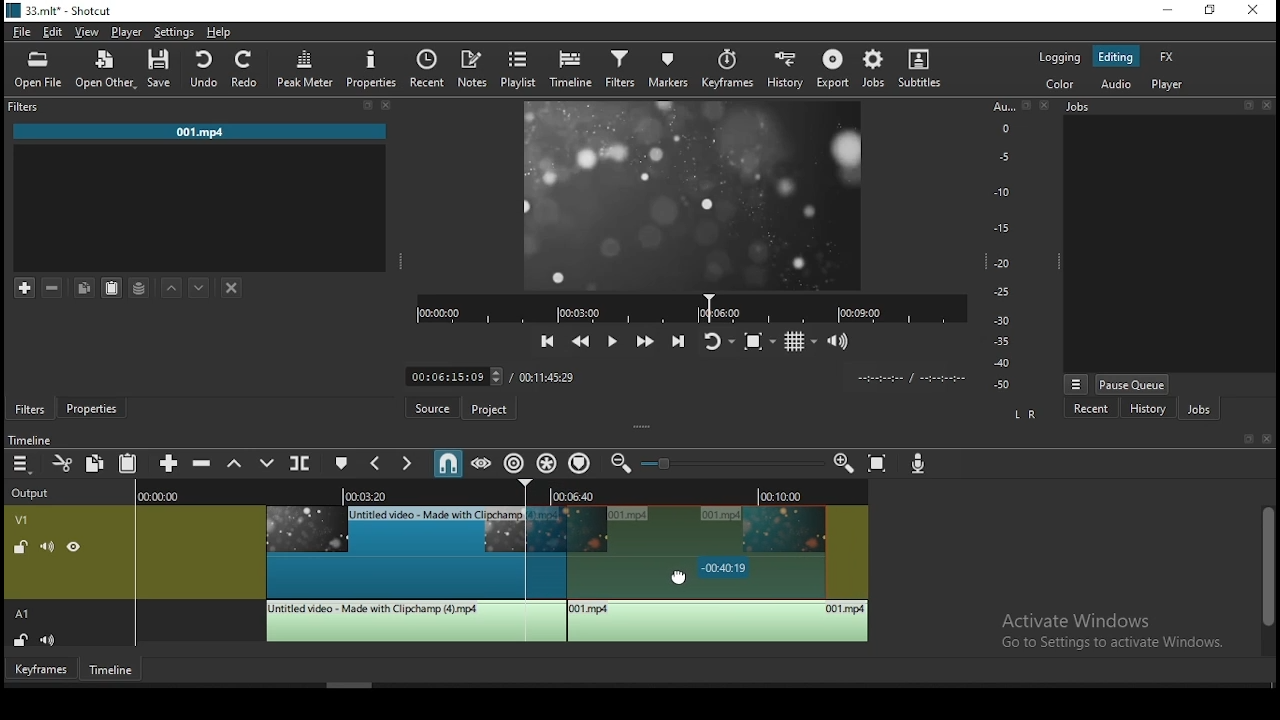  I want to click on toggle grid display on player, so click(802, 339).